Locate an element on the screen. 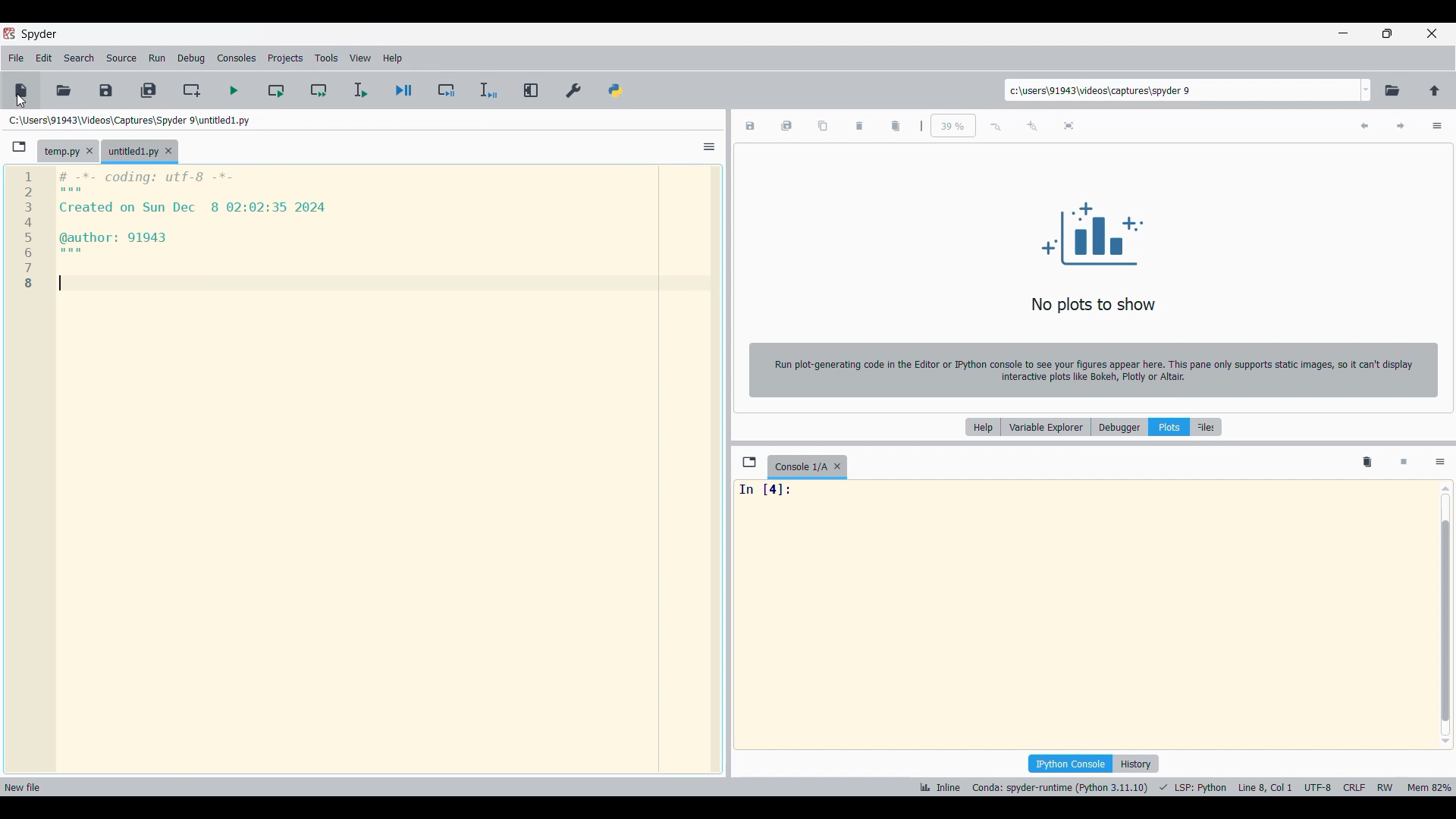 The image size is (1456, 819). Run current cell is located at coordinates (277, 91).